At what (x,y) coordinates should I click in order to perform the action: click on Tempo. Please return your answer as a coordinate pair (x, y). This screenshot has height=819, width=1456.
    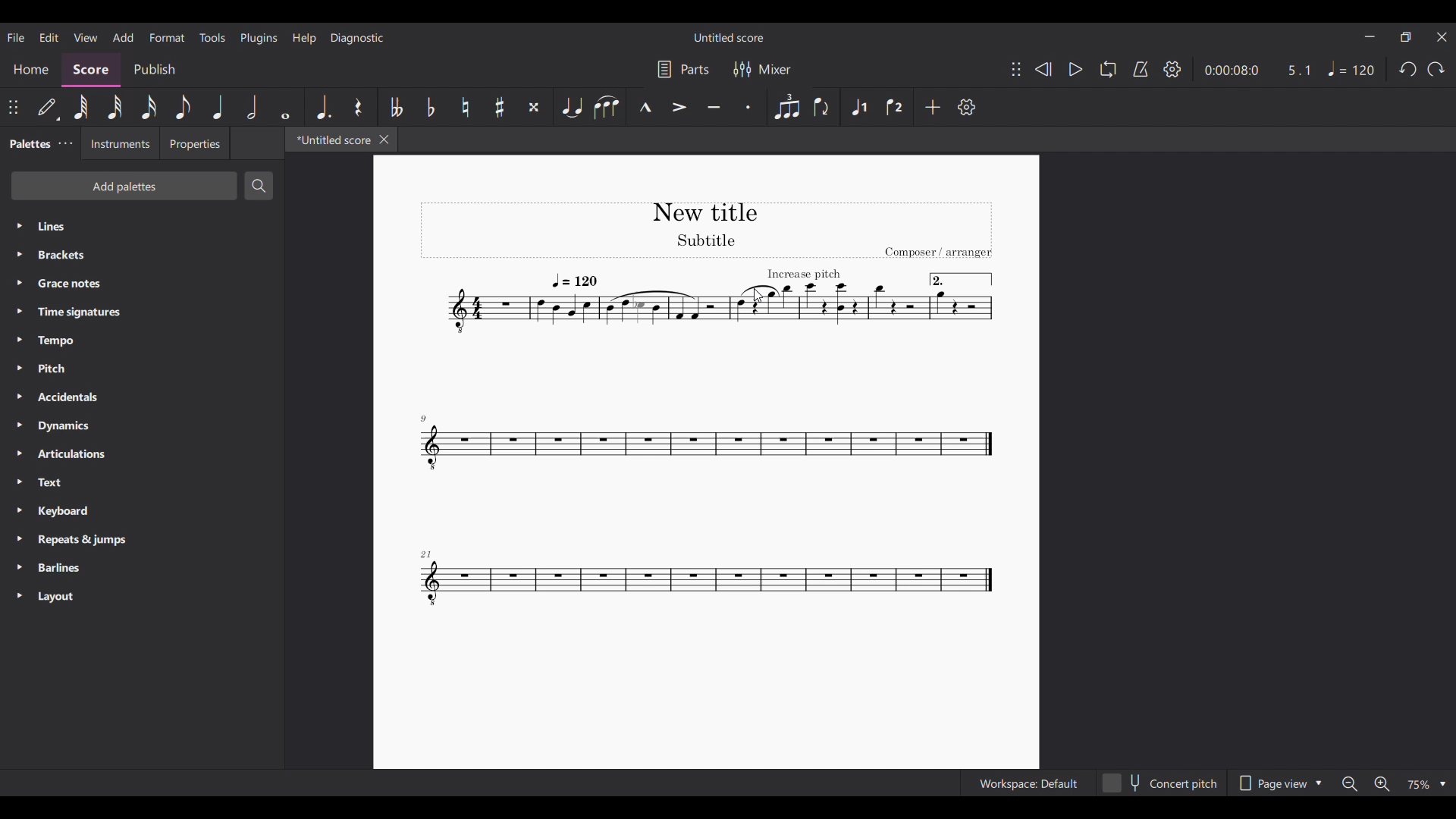
    Looking at the image, I should click on (1351, 69).